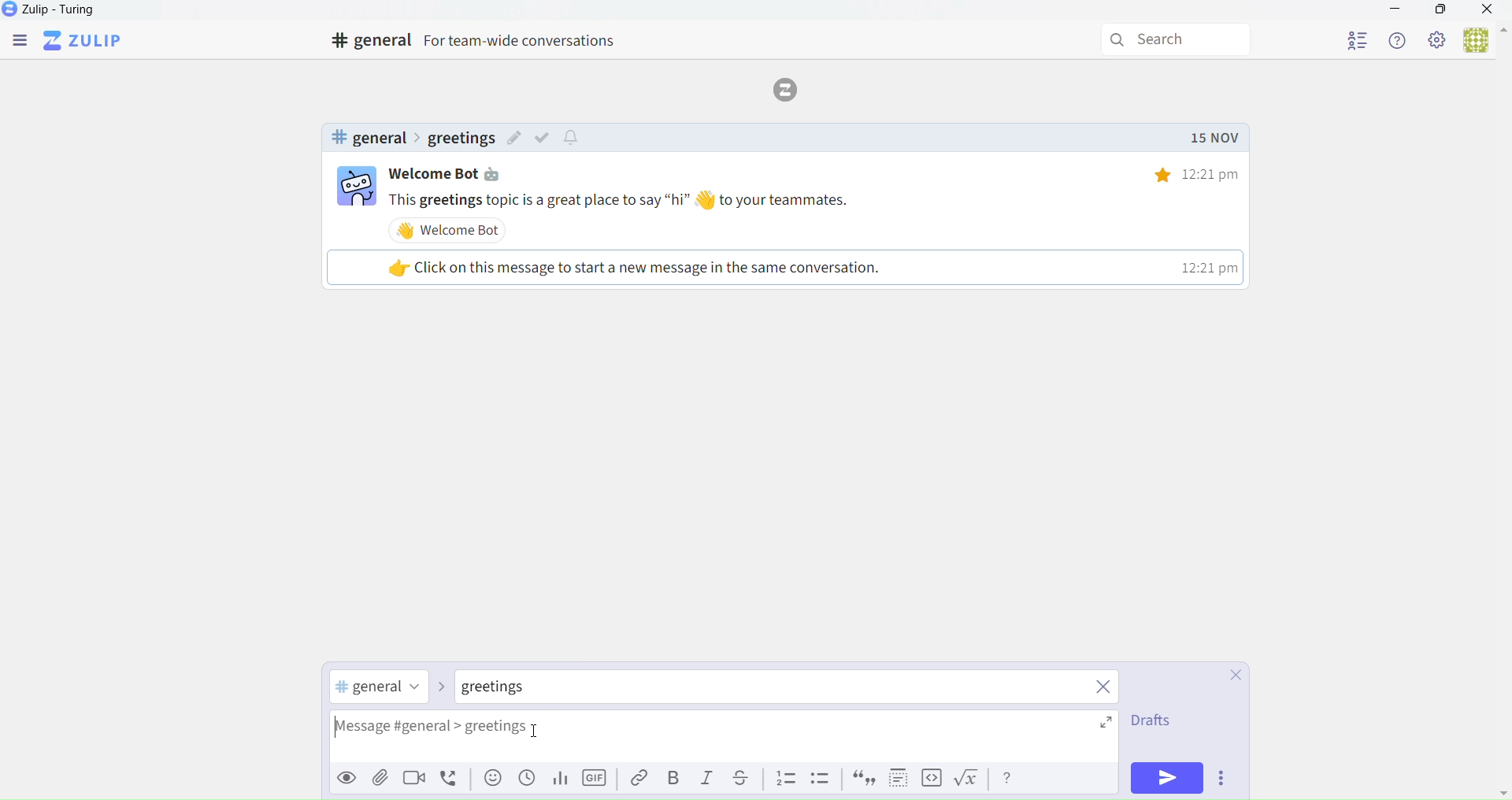  I want to click on General Tittle, so click(480, 41).